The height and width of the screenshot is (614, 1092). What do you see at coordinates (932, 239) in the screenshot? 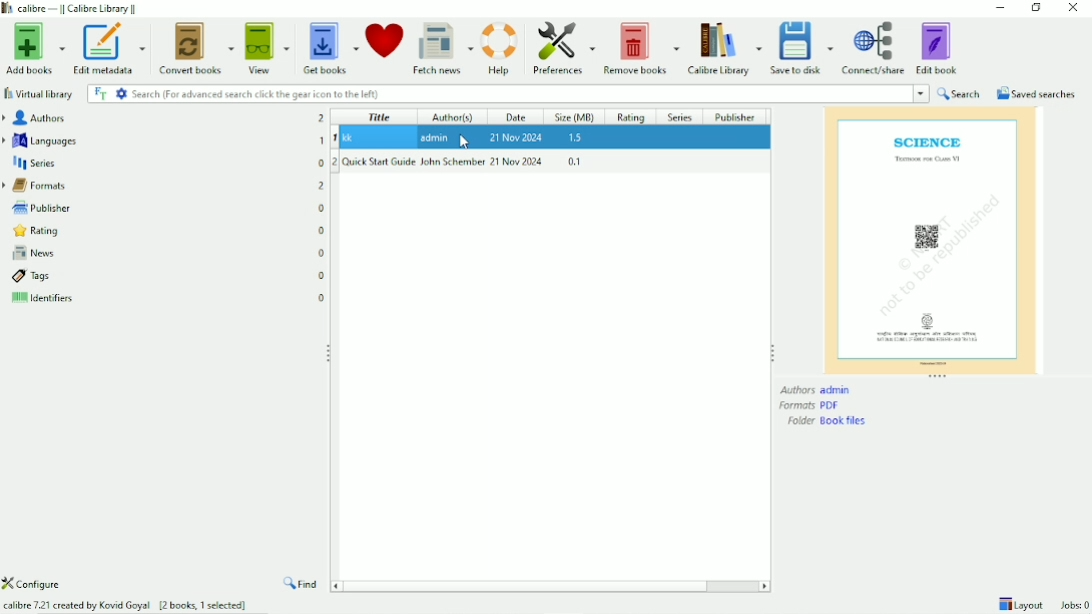
I see `Preview` at bounding box center [932, 239].